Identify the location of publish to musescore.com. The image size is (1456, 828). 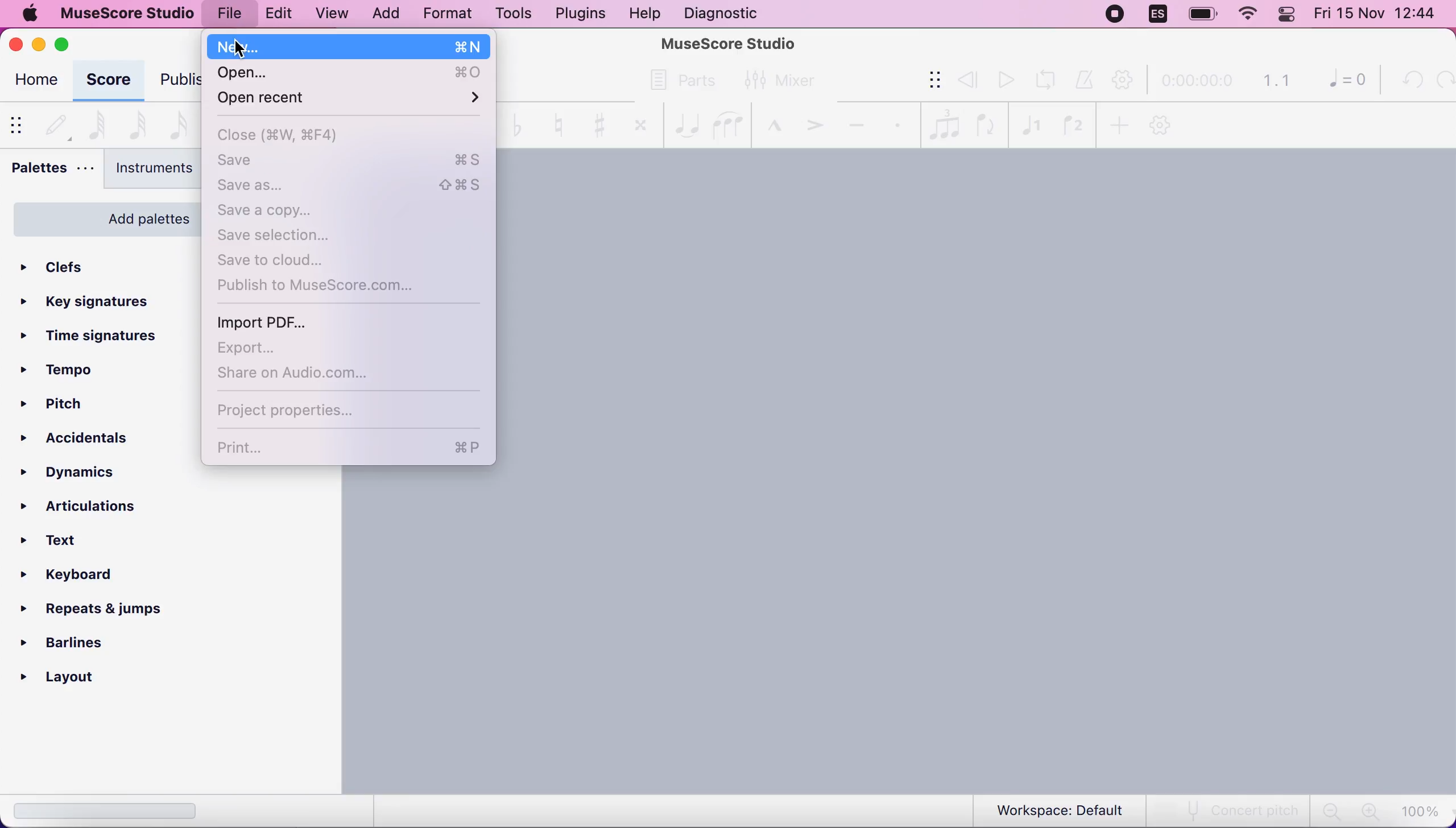
(337, 287).